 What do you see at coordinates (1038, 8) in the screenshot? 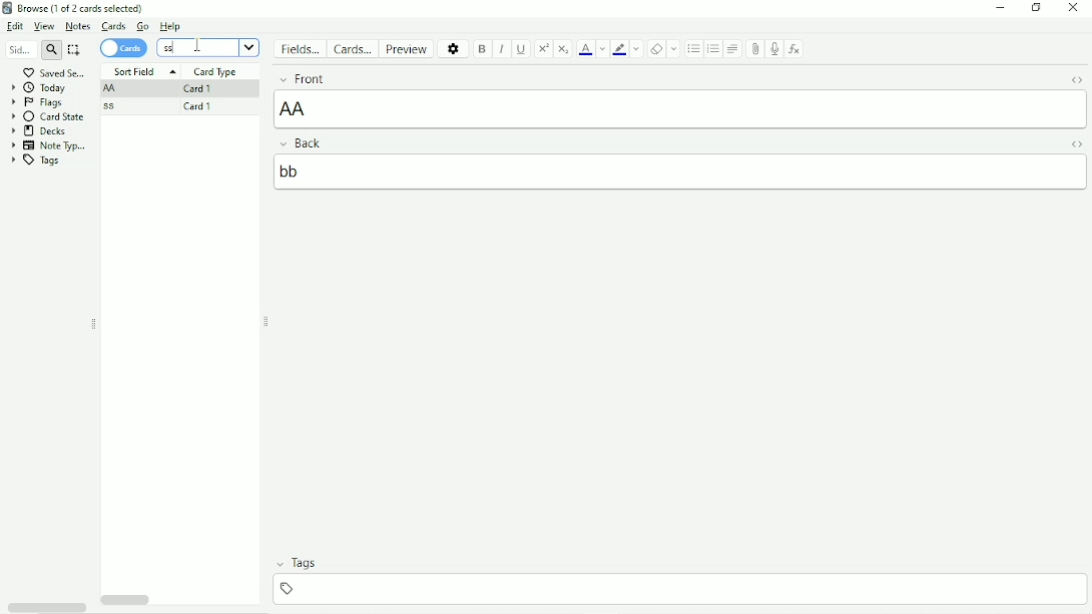
I see `Restore down` at bounding box center [1038, 8].